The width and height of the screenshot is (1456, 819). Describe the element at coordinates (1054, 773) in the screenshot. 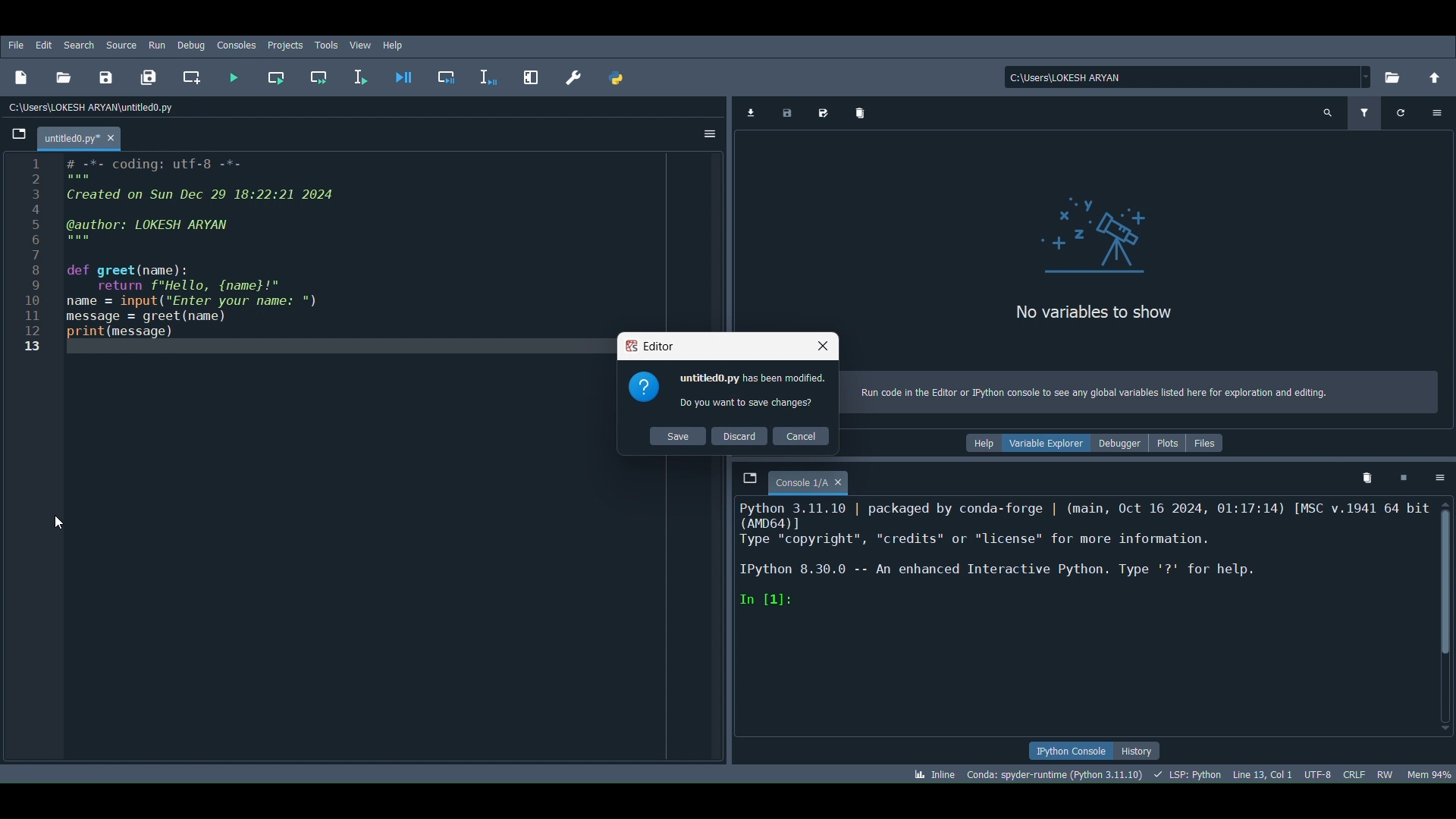

I see `Version` at that location.